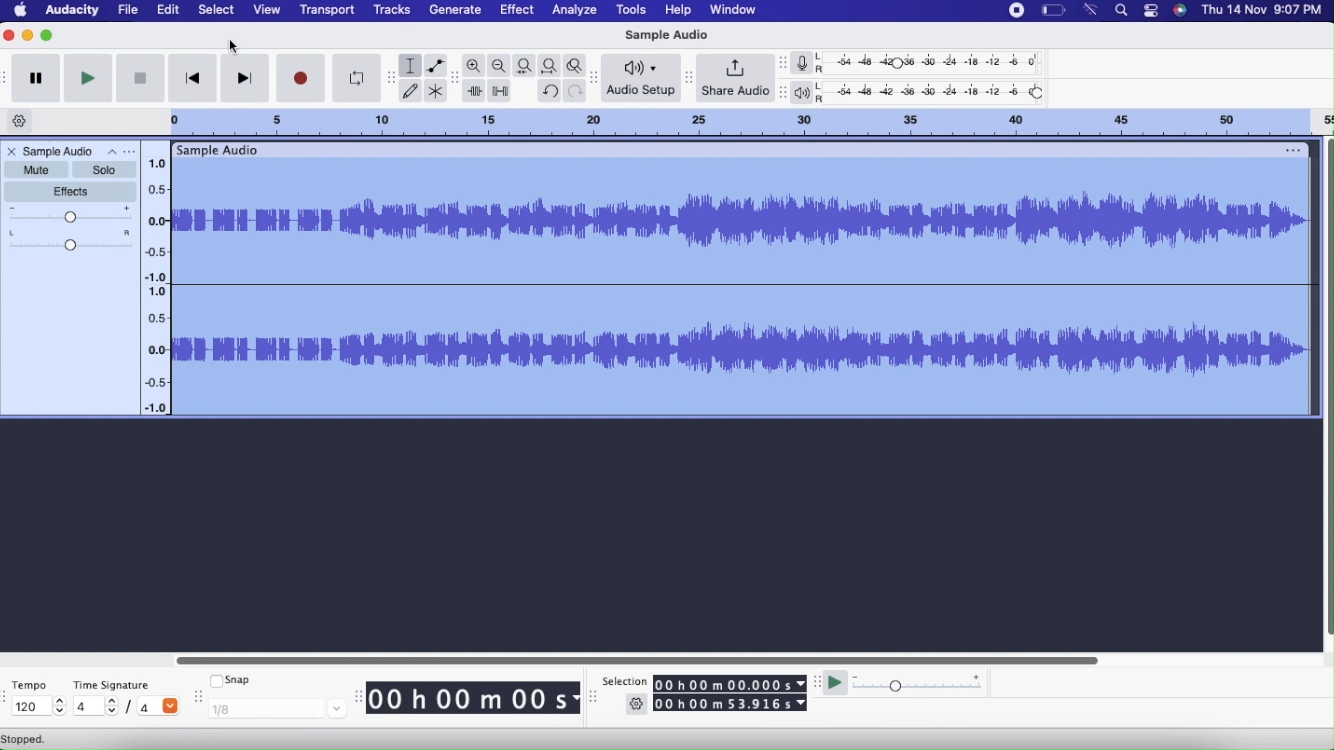  I want to click on Battery level, so click(1055, 10).